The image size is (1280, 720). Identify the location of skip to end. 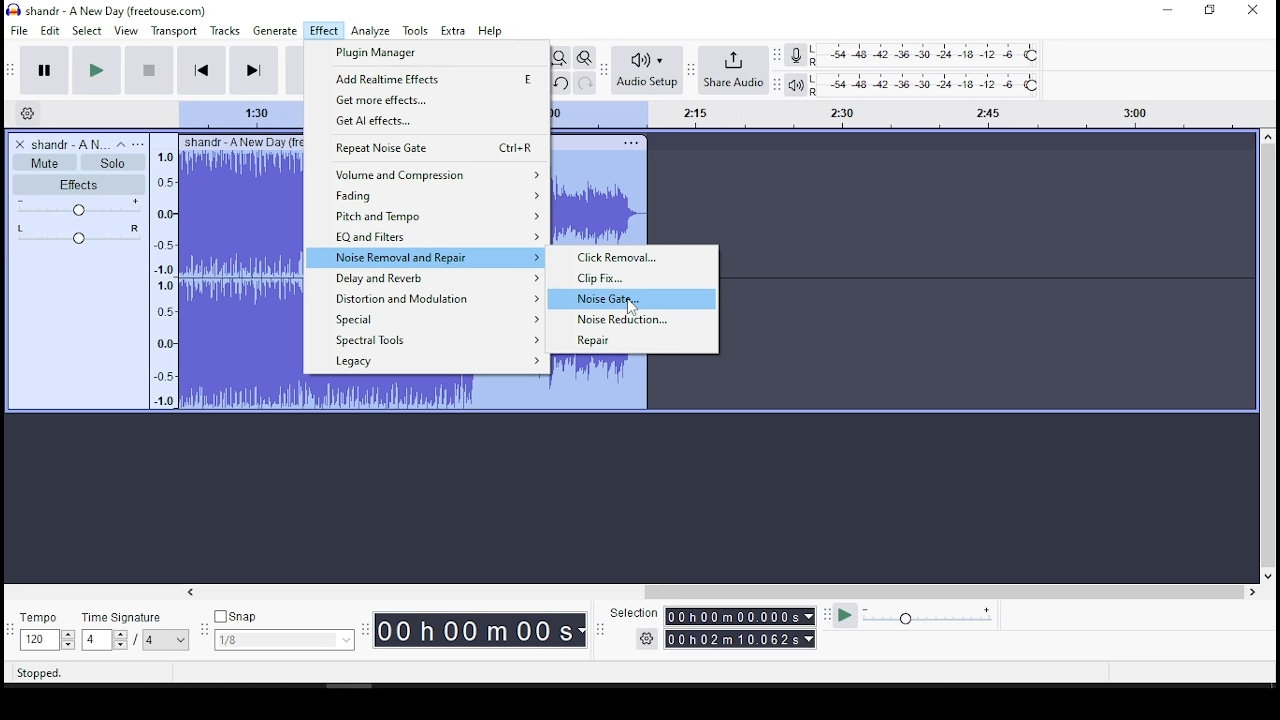
(252, 70).